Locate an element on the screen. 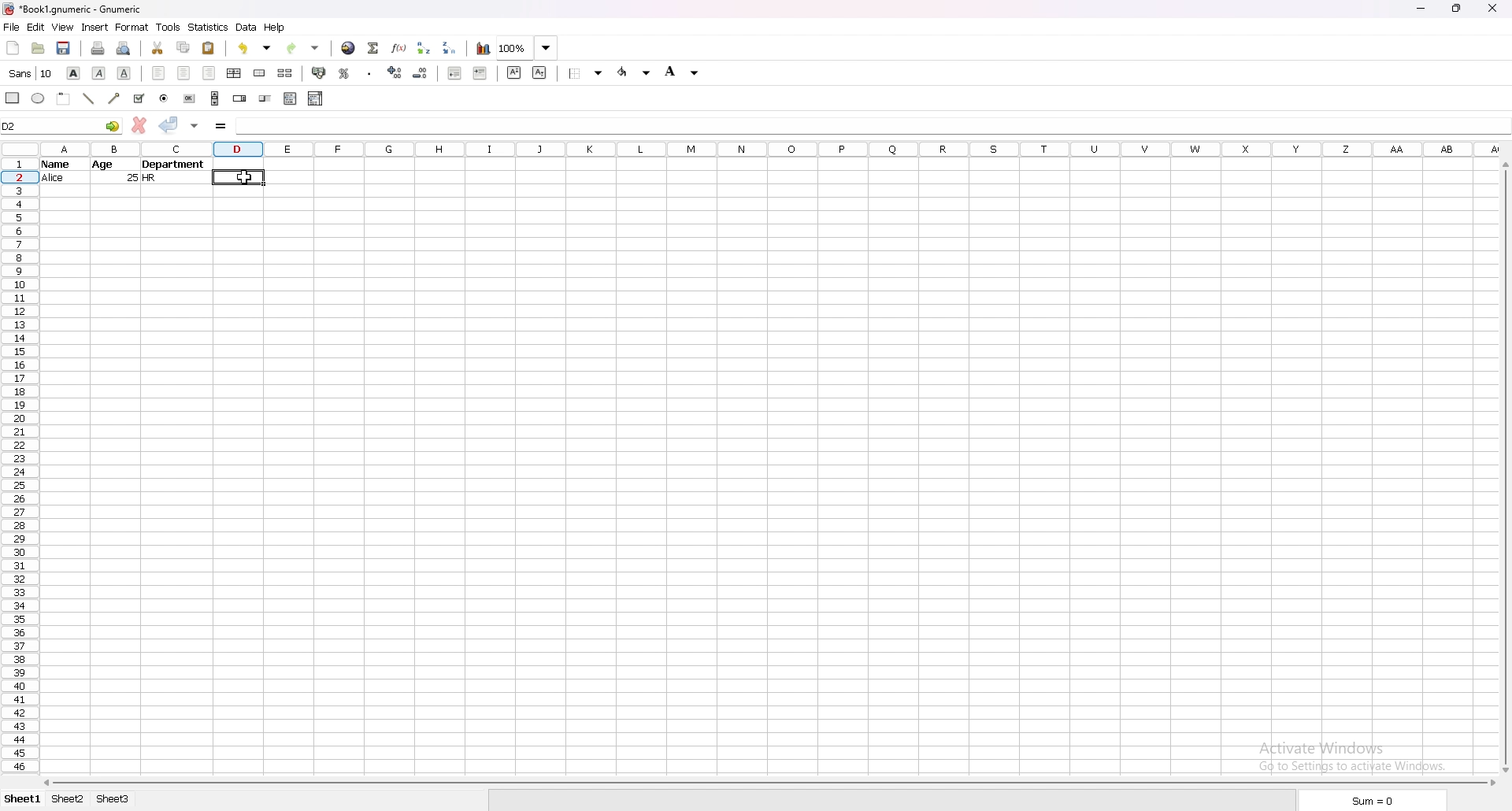  copy is located at coordinates (183, 47).